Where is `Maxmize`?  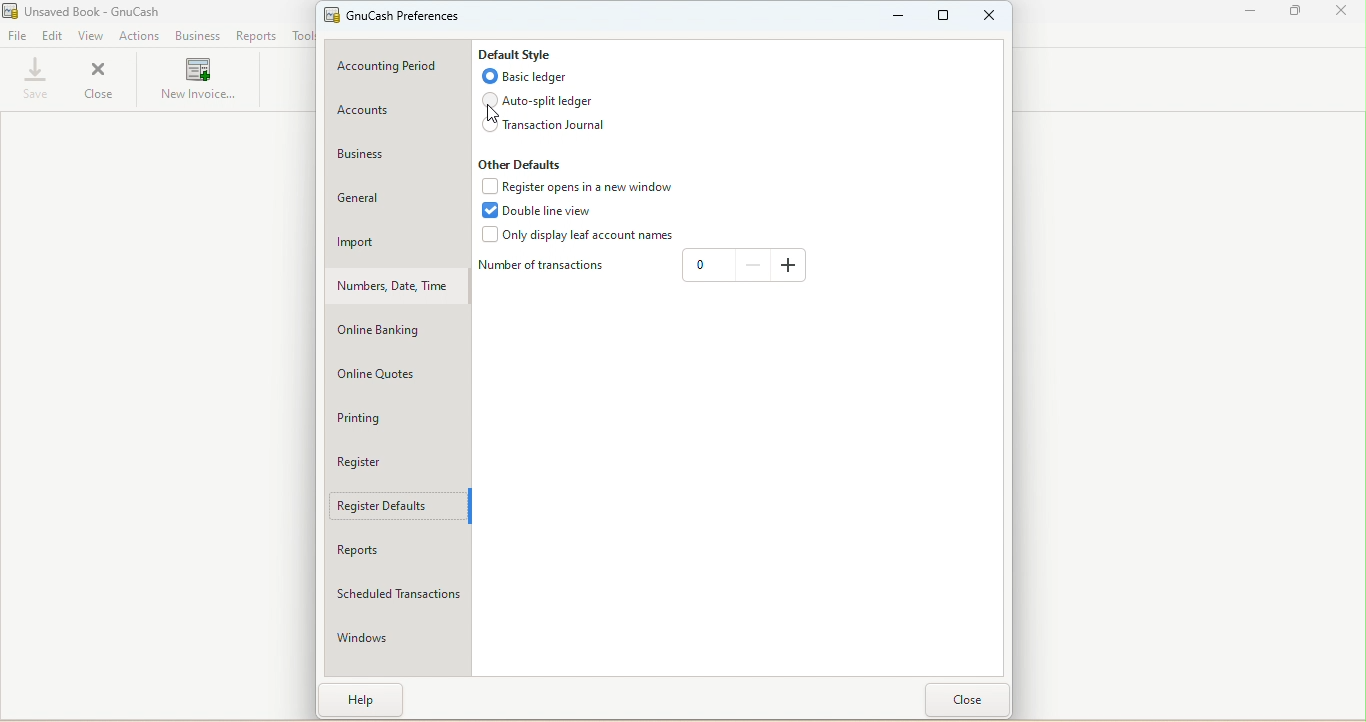 Maxmize is located at coordinates (945, 18).